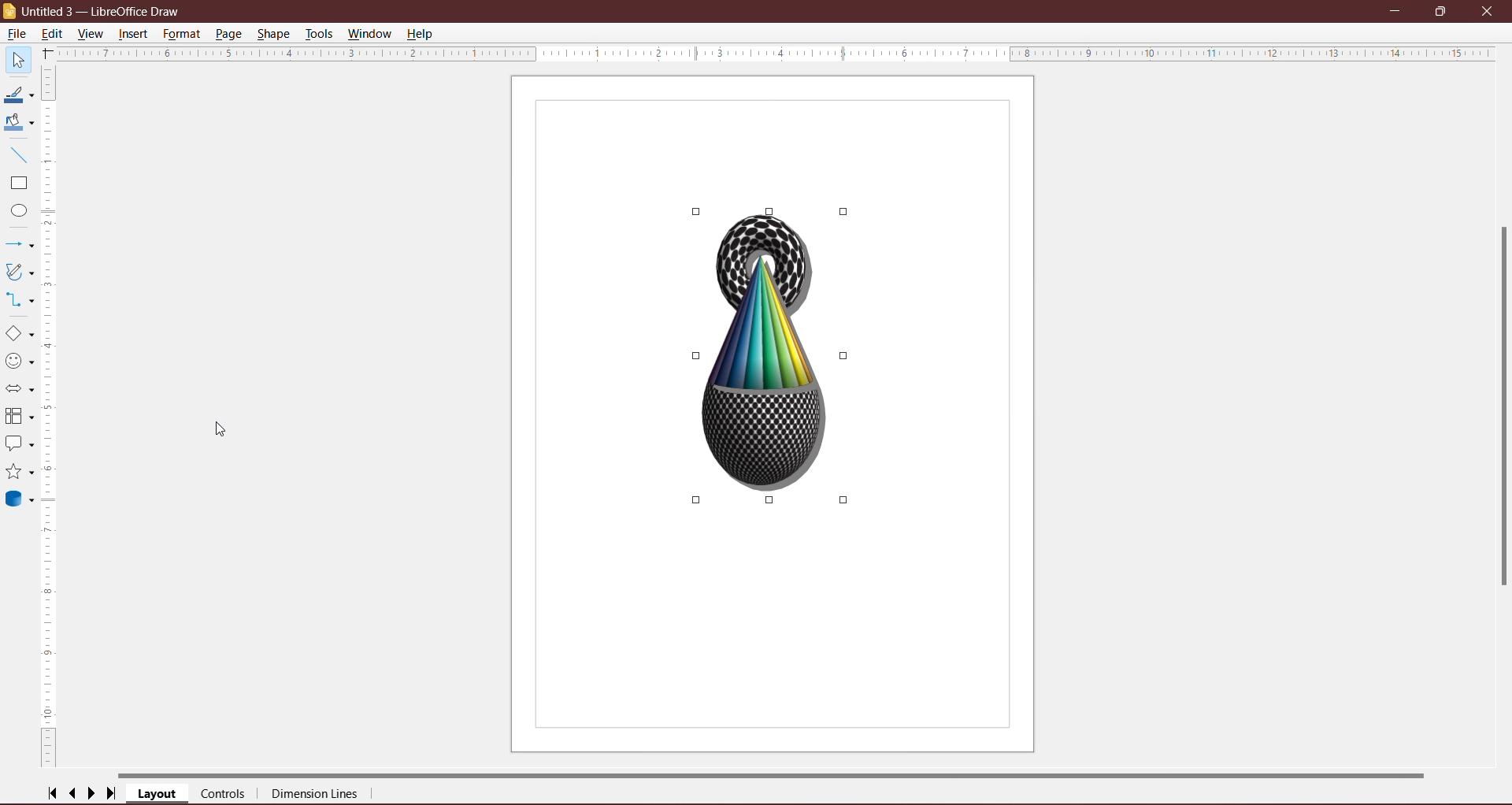 The width and height of the screenshot is (1512, 805). What do you see at coordinates (91, 33) in the screenshot?
I see `View` at bounding box center [91, 33].